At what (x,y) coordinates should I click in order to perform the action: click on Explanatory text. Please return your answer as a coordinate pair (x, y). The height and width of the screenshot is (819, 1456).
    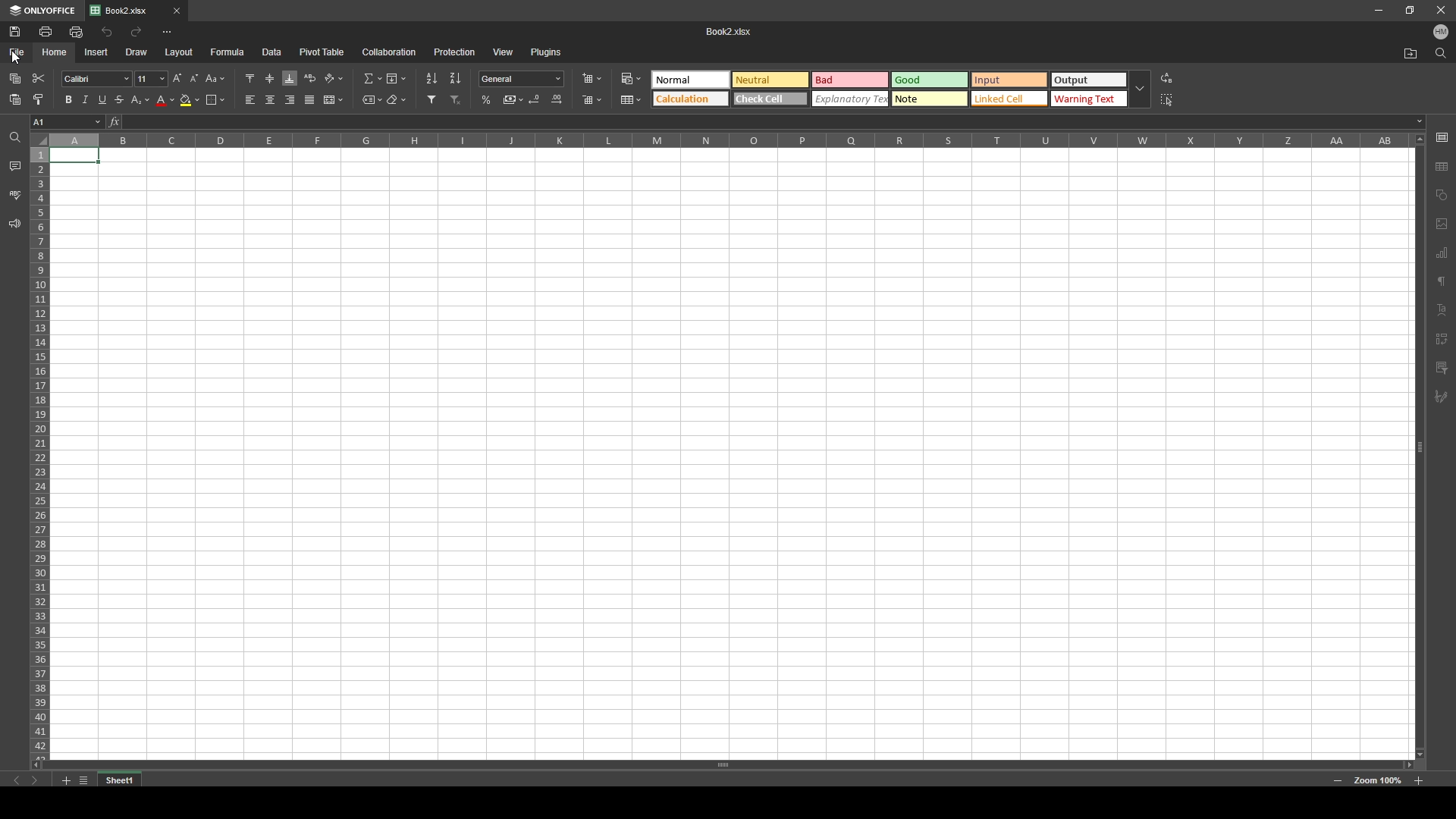
    Looking at the image, I should click on (851, 99).